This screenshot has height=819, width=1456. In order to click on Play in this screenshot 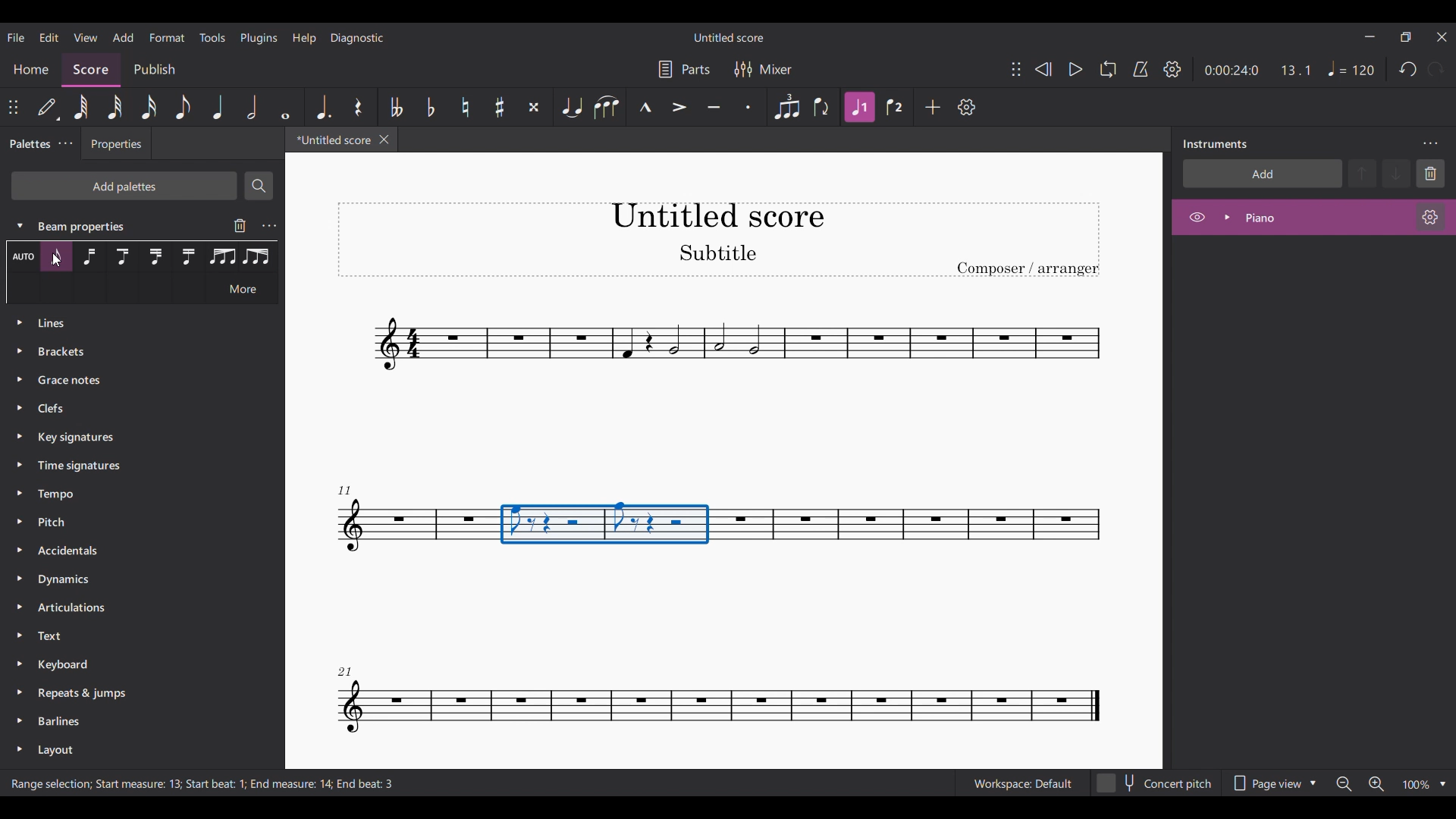, I will do `click(1075, 69)`.